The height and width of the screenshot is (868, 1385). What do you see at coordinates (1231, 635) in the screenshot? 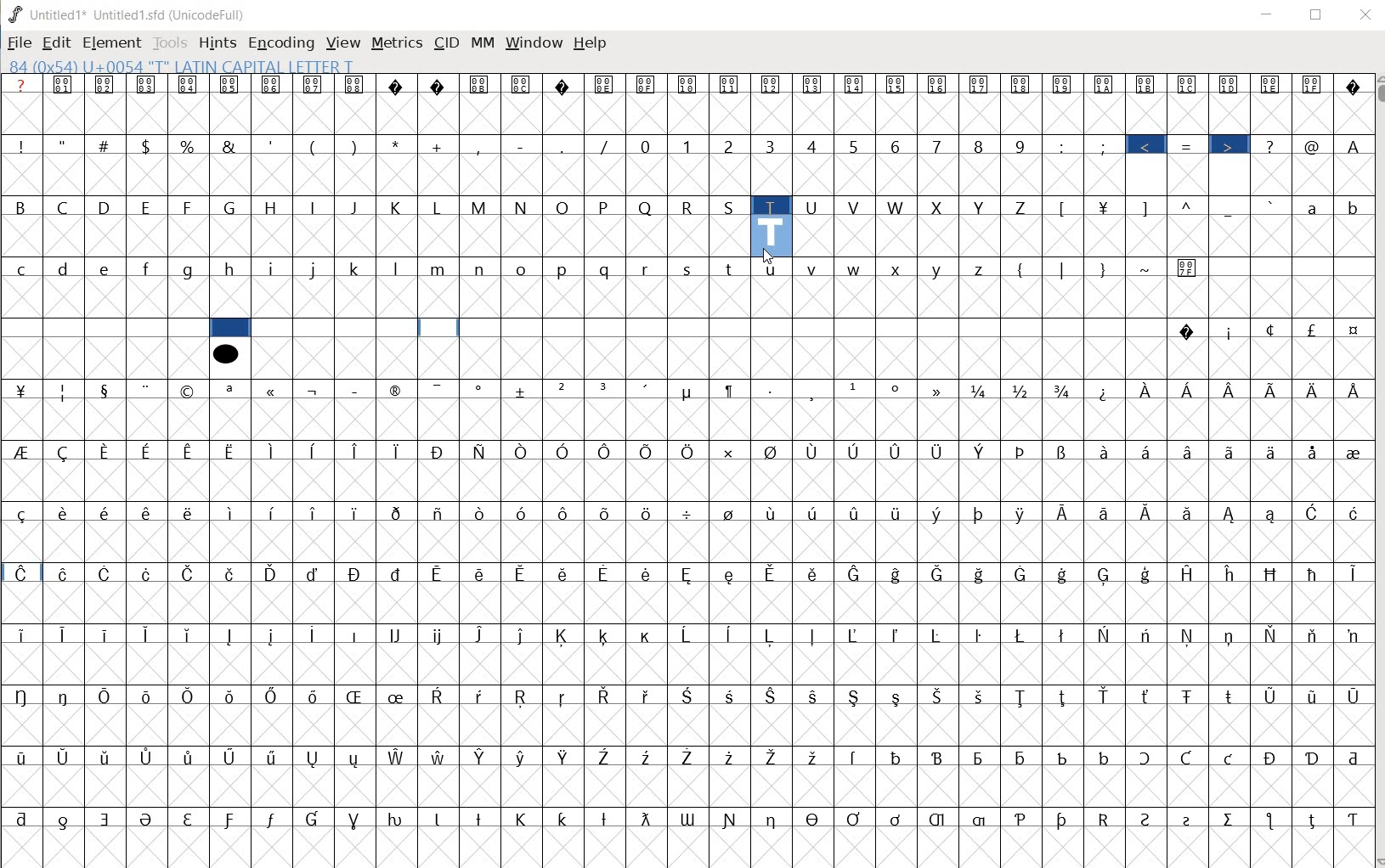
I see `Symbol` at bounding box center [1231, 635].